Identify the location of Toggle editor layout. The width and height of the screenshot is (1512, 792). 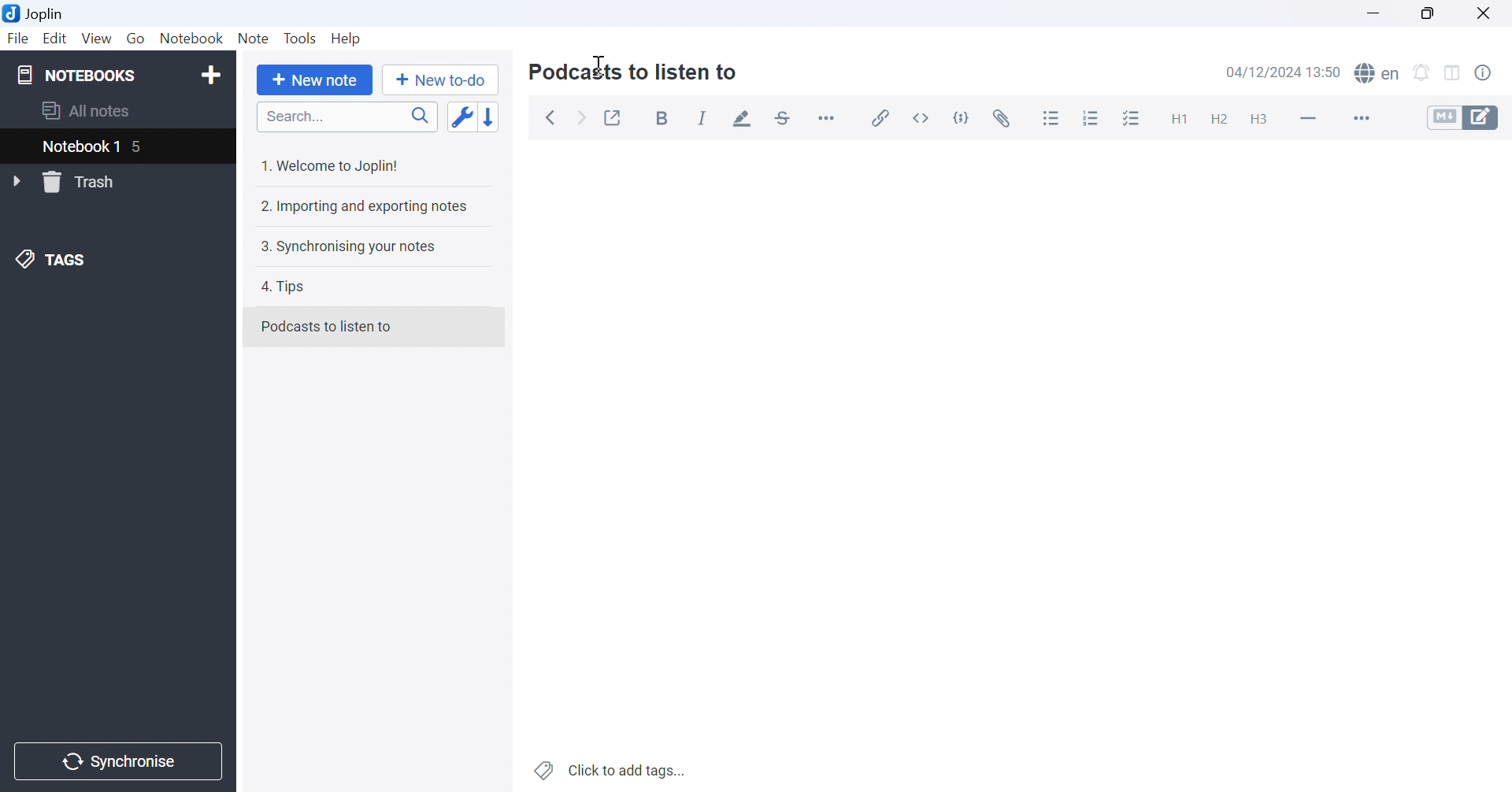
(1453, 73).